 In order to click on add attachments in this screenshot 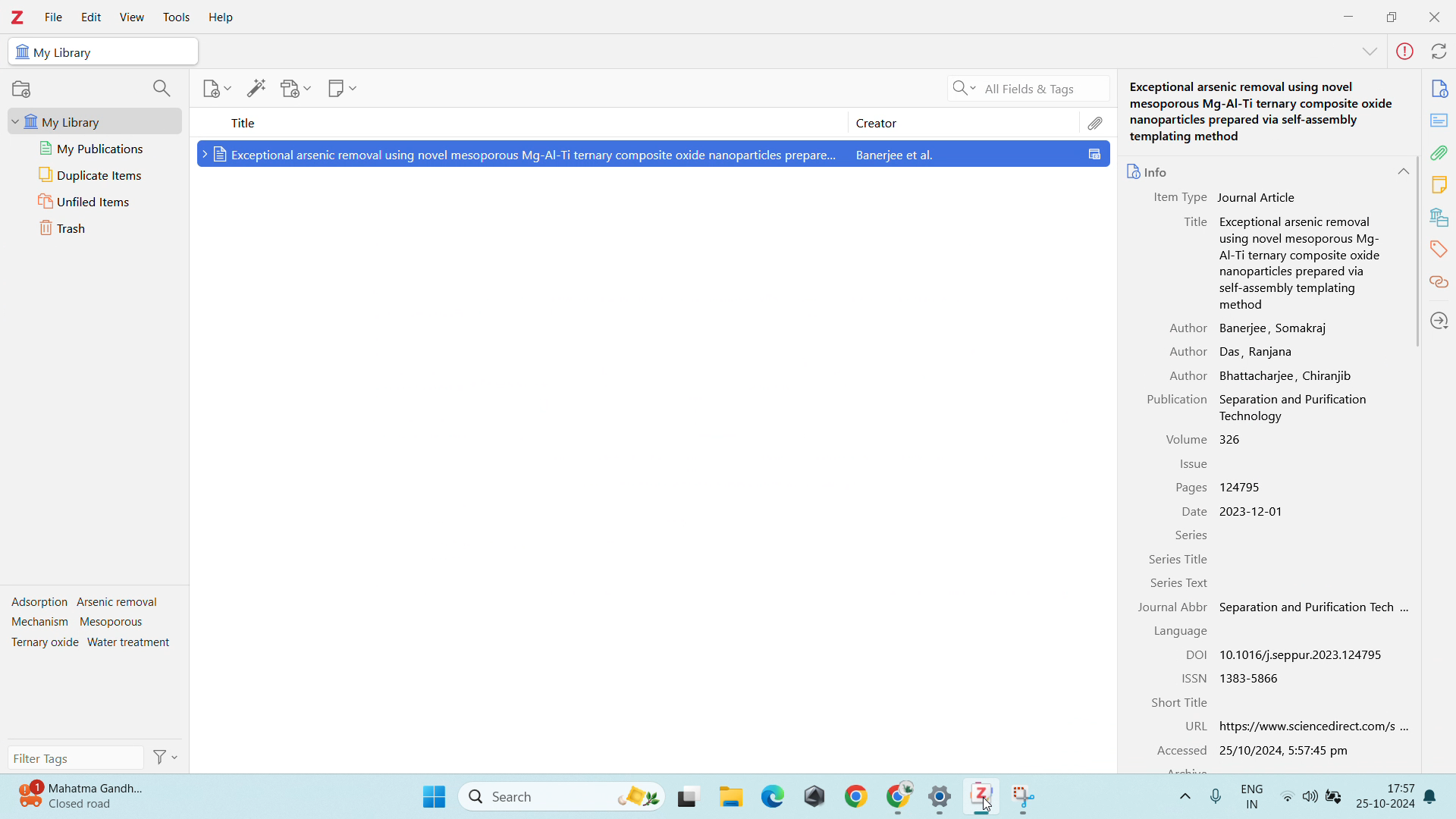, I will do `click(296, 89)`.